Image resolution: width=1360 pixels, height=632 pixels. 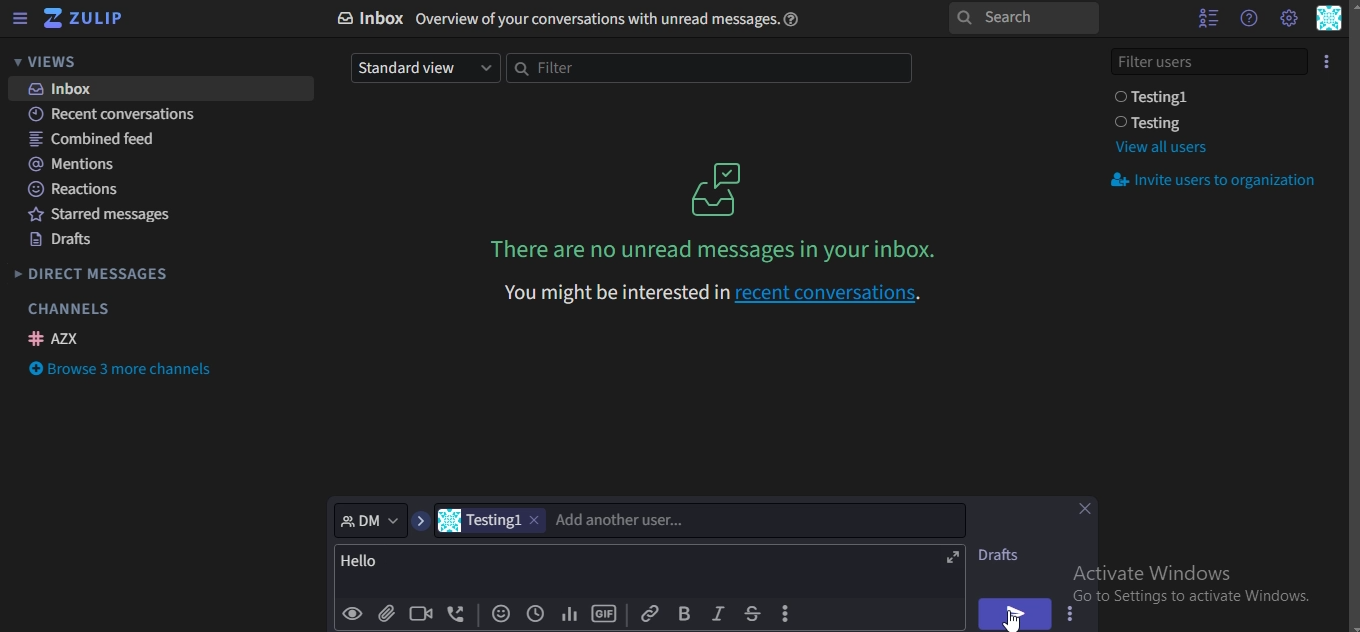 I want to click on recent conversations., so click(x=704, y=293).